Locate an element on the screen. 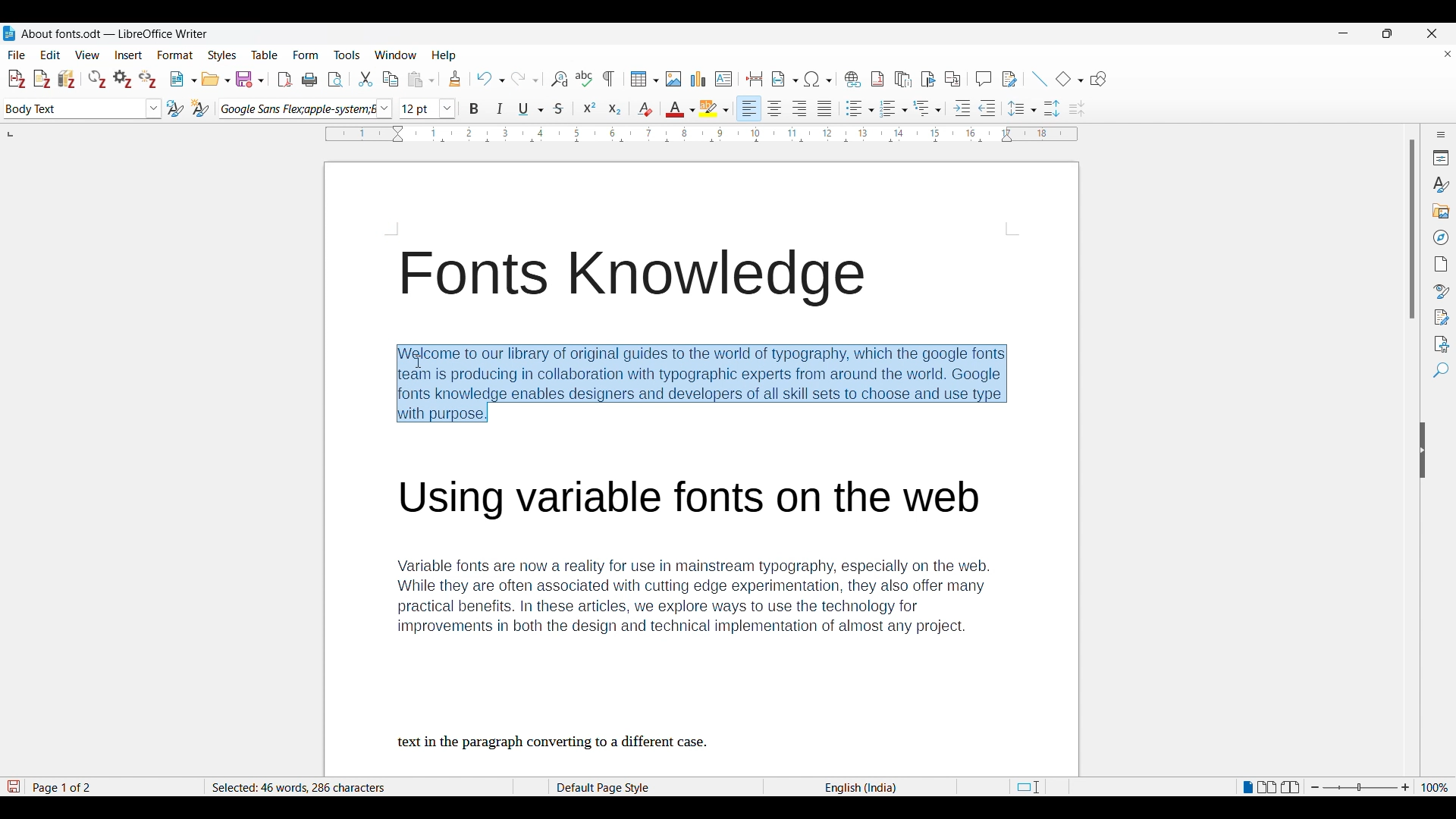  Format menu is located at coordinates (175, 56).